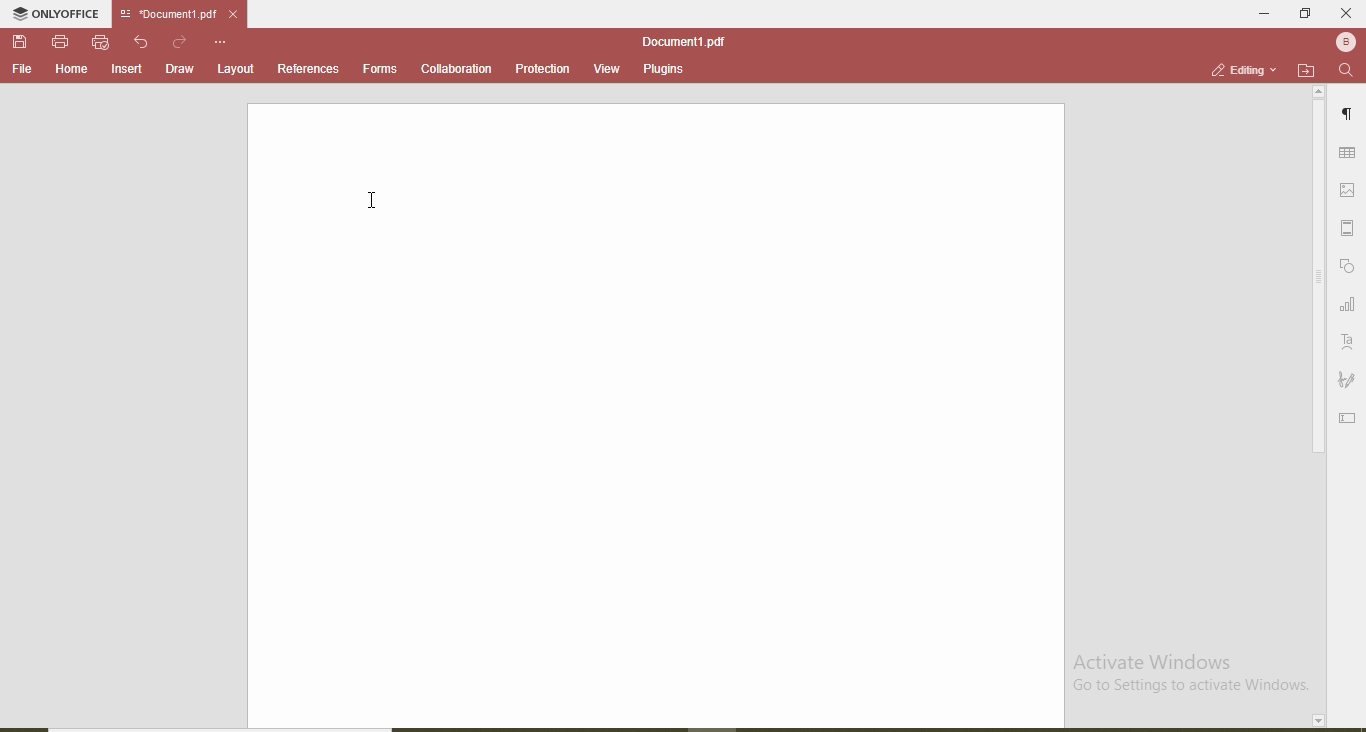  What do you see at coordinates (601, 66) in the screenshot?
I see `view` at bounding box center [601, 66].